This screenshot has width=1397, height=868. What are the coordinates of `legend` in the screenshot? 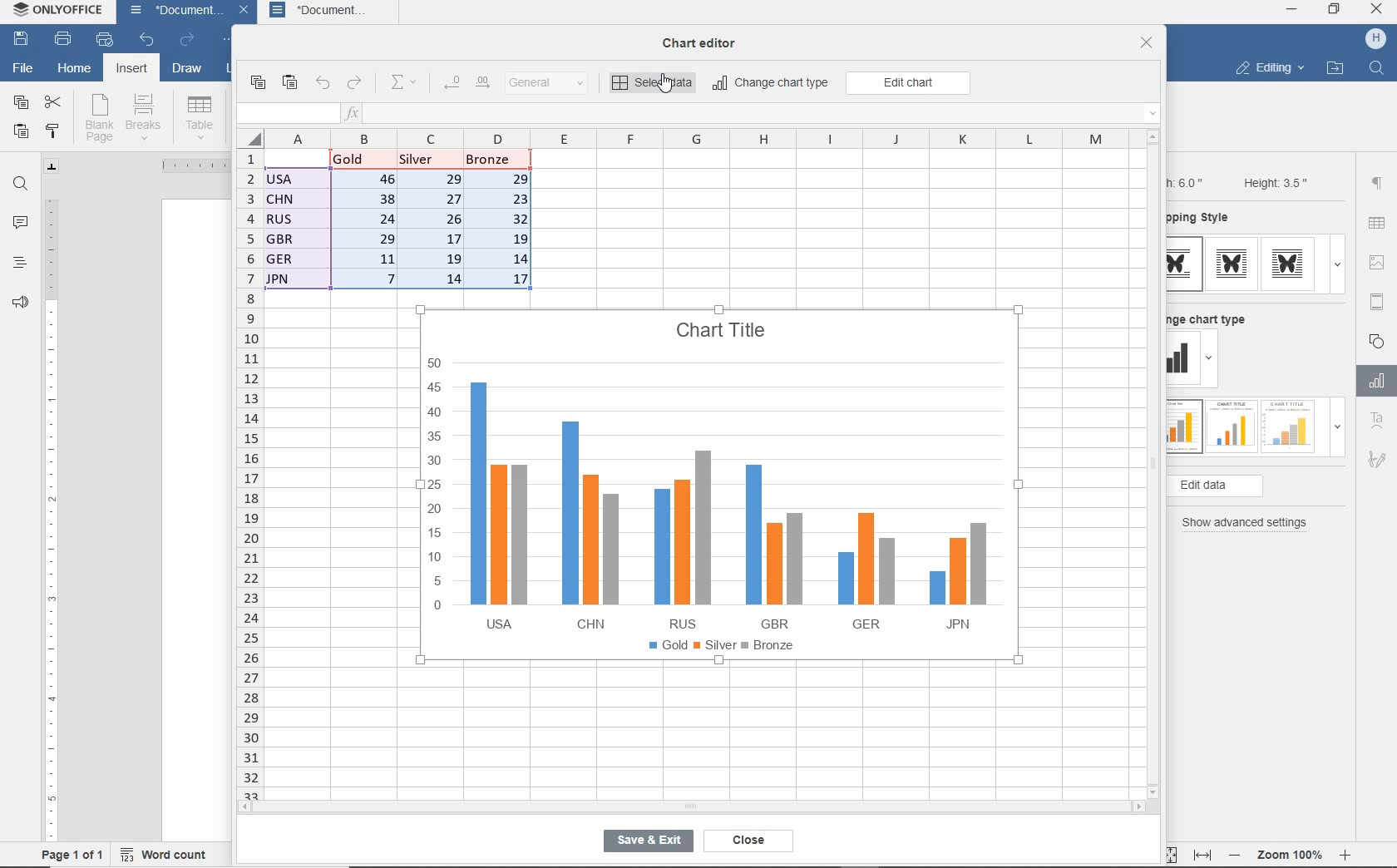 It's located at (723, 648).